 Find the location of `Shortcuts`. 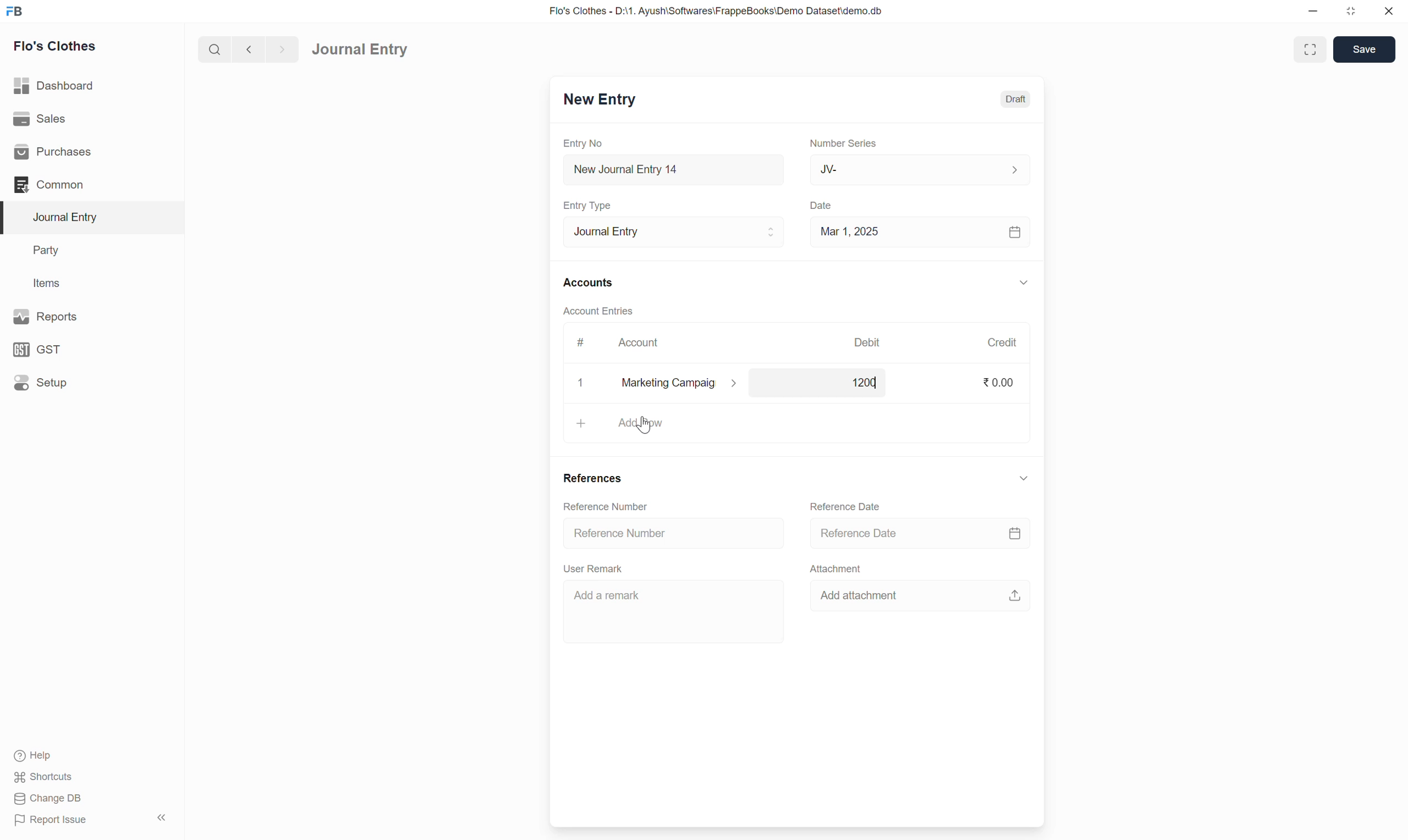

Shortcuts is located at coordinates (48, 777).